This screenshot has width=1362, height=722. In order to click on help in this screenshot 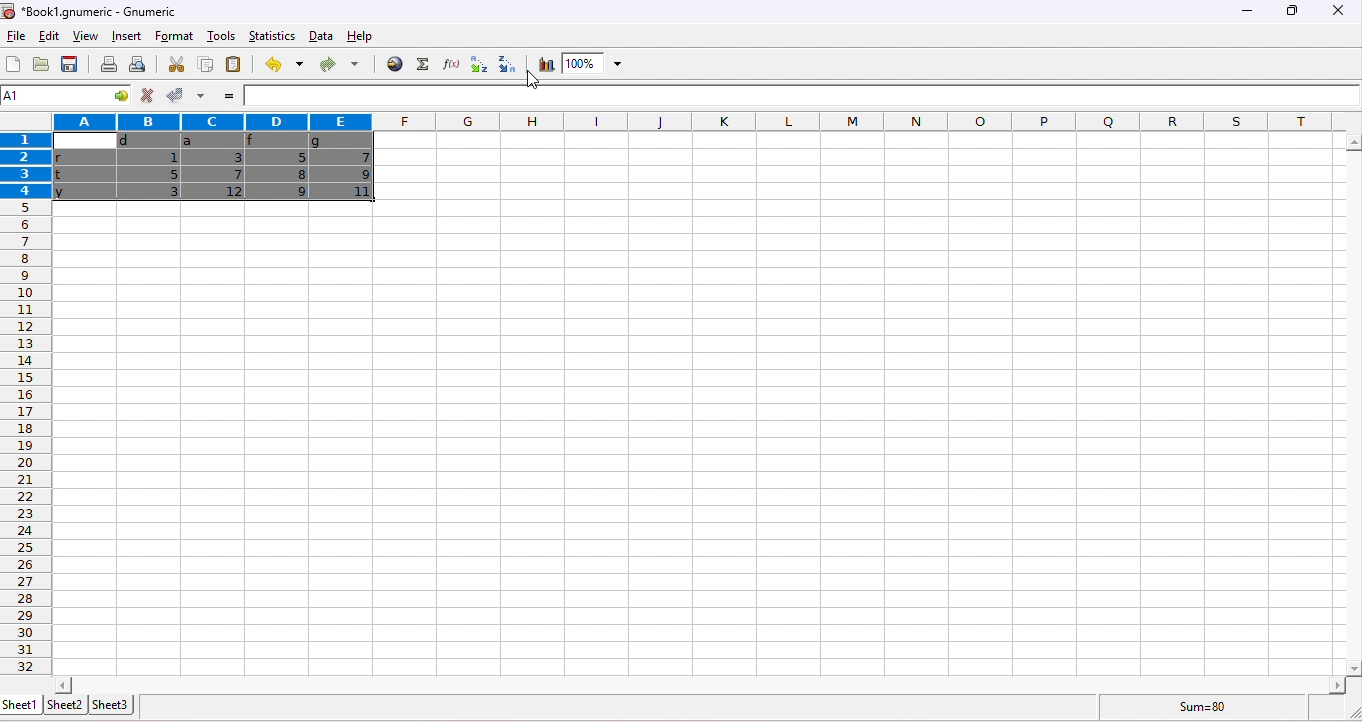, I will do `click(361, 36)`.